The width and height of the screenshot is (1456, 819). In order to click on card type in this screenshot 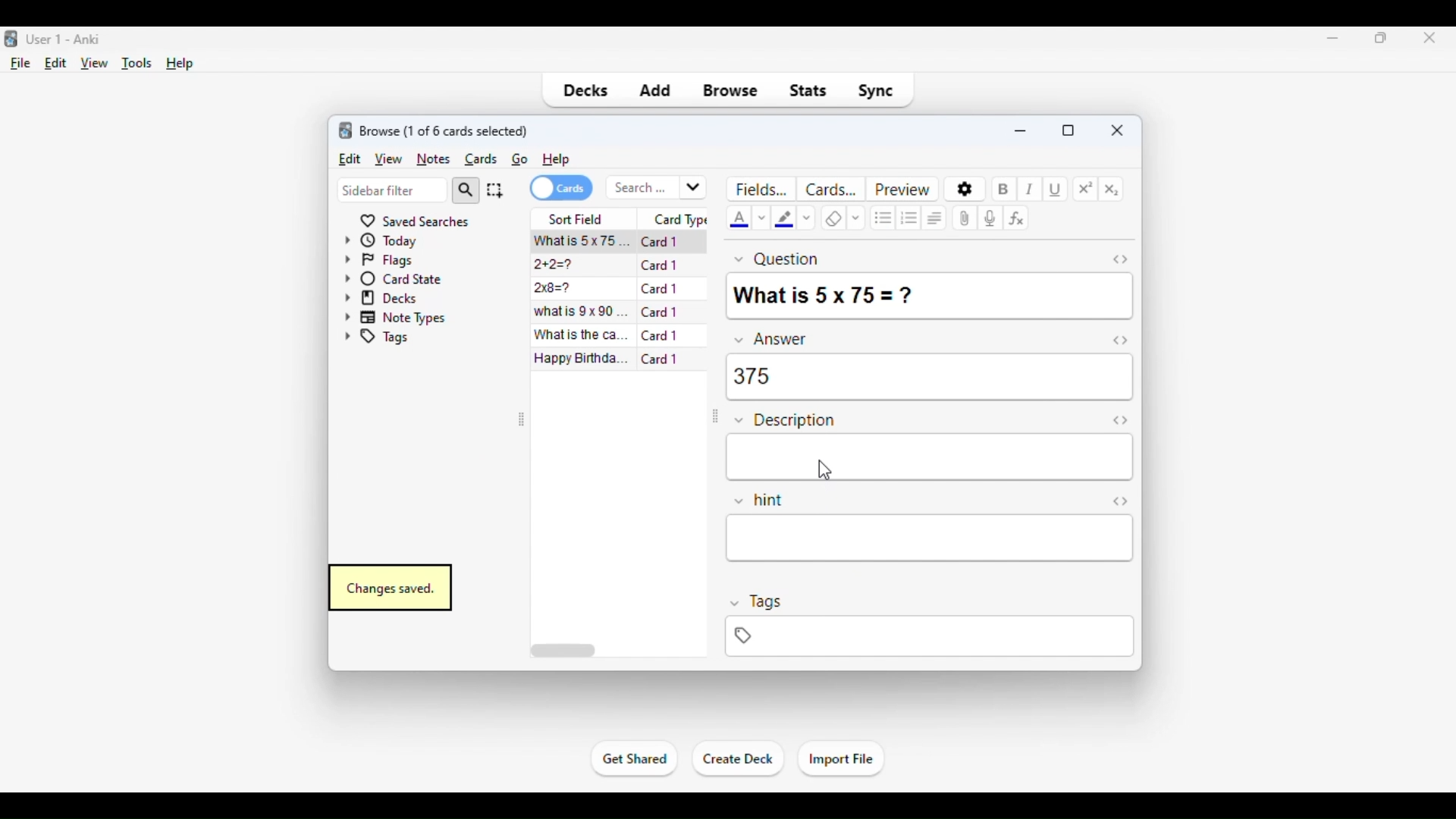, I will do `click(679, 219)`.